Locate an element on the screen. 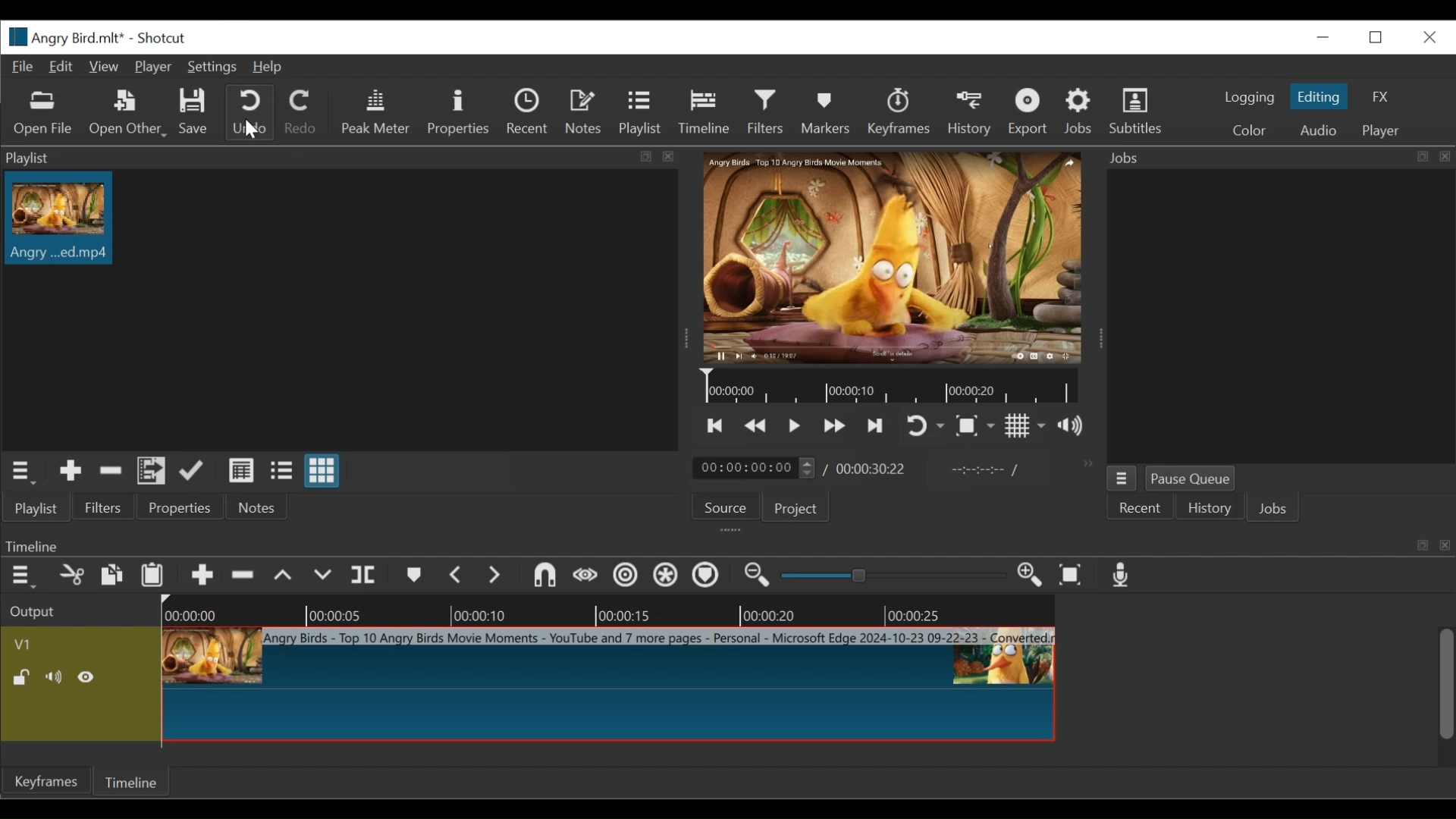  Video track name is located at coordinates (76, 642).